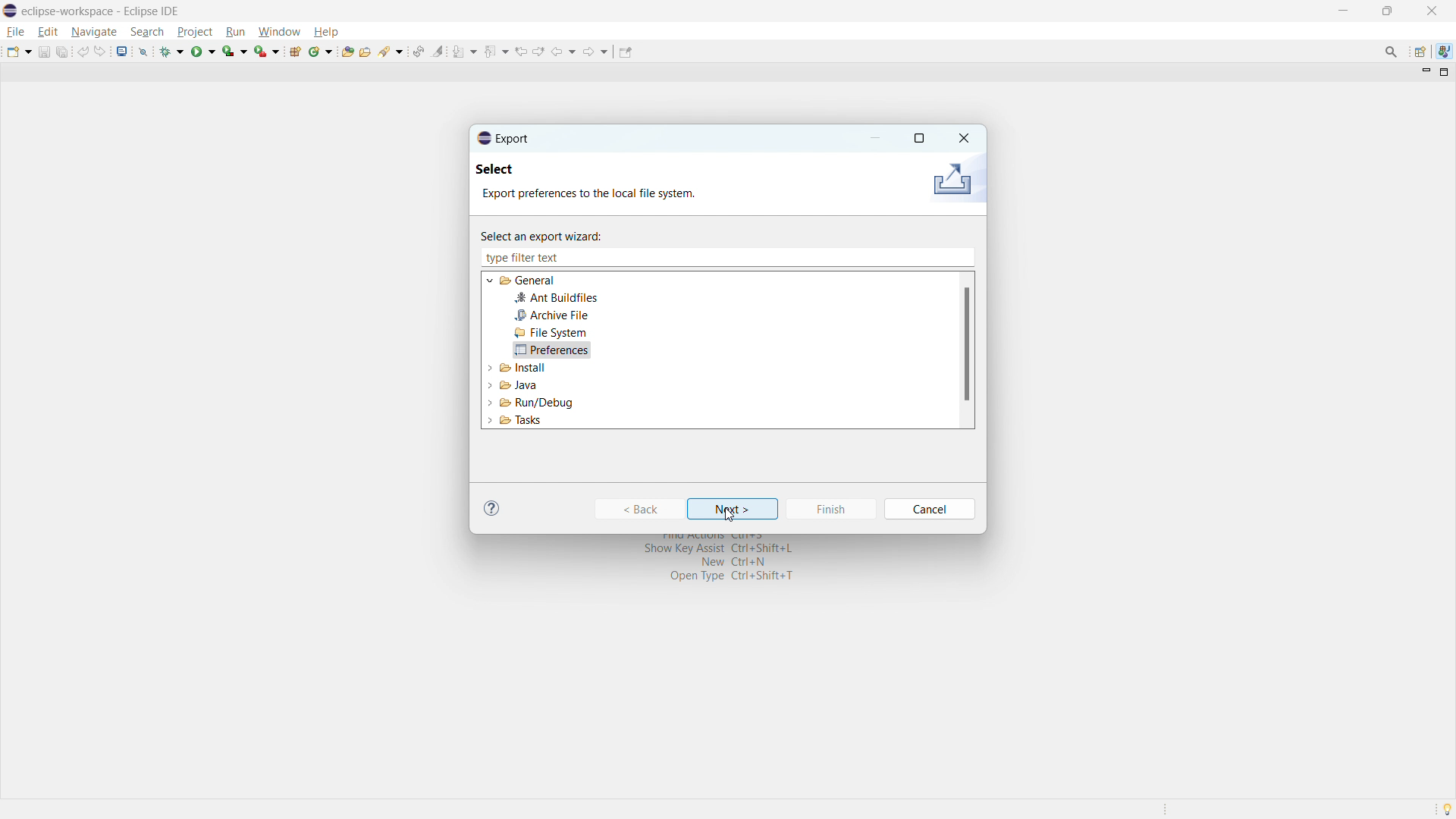 The height and width of the screenshot is (819, 1456). Describe the element at coordinates (234, 51) in the screenshot. I see `coverage` at that location.